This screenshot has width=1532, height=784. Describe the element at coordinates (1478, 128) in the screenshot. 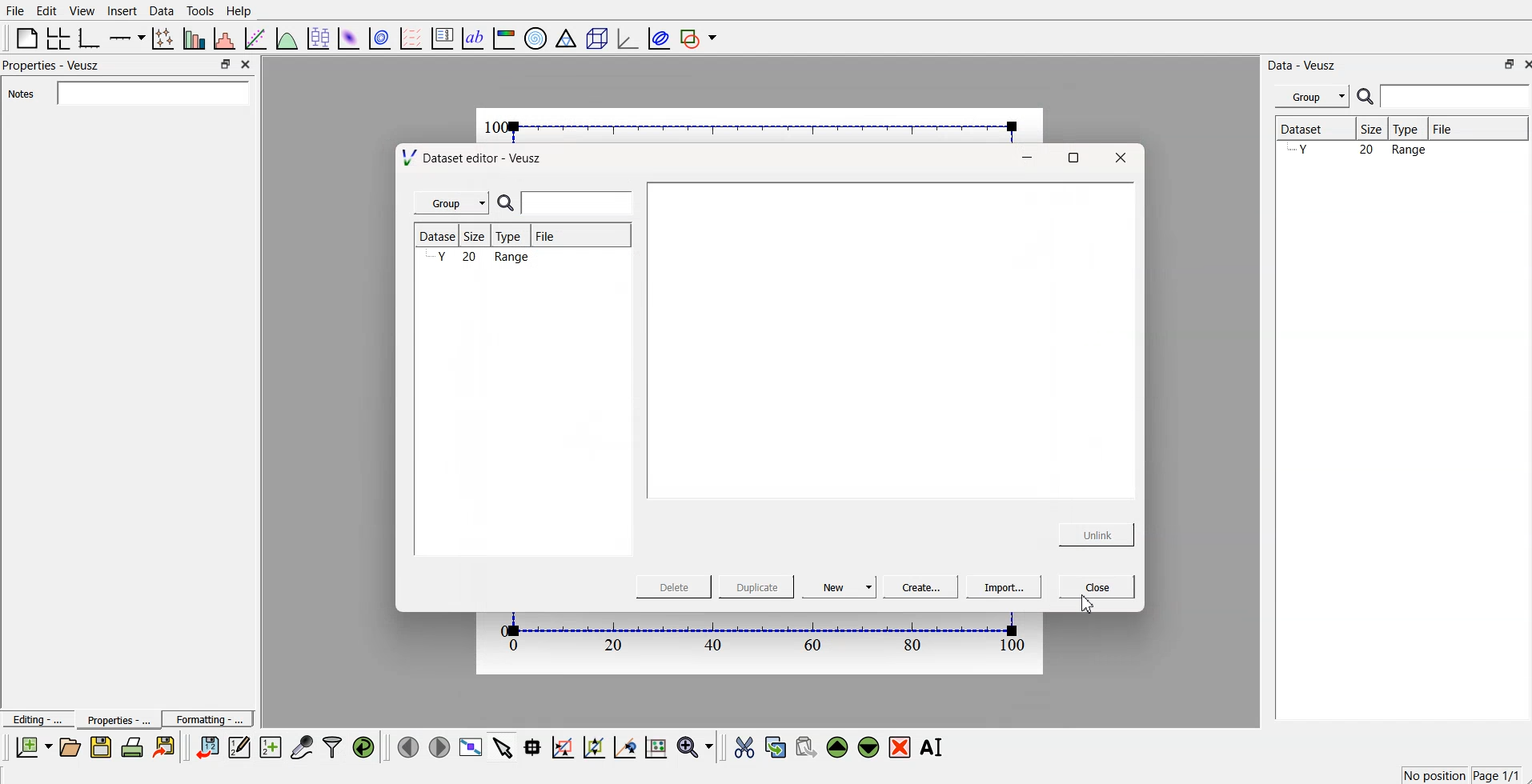

I see `File` at that location.